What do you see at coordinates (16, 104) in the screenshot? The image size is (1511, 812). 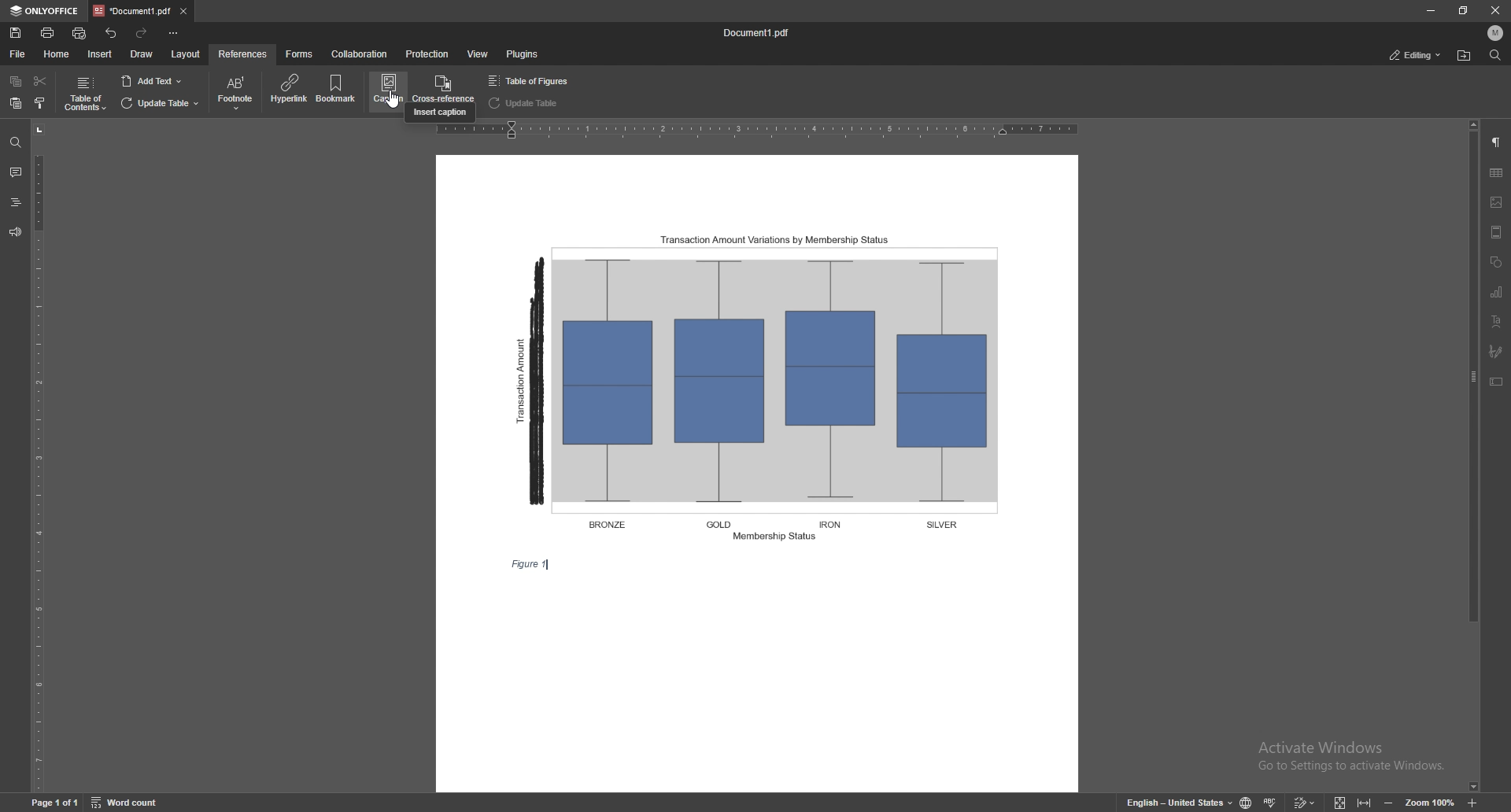 I see `paste` at bounding box center [16, 104].